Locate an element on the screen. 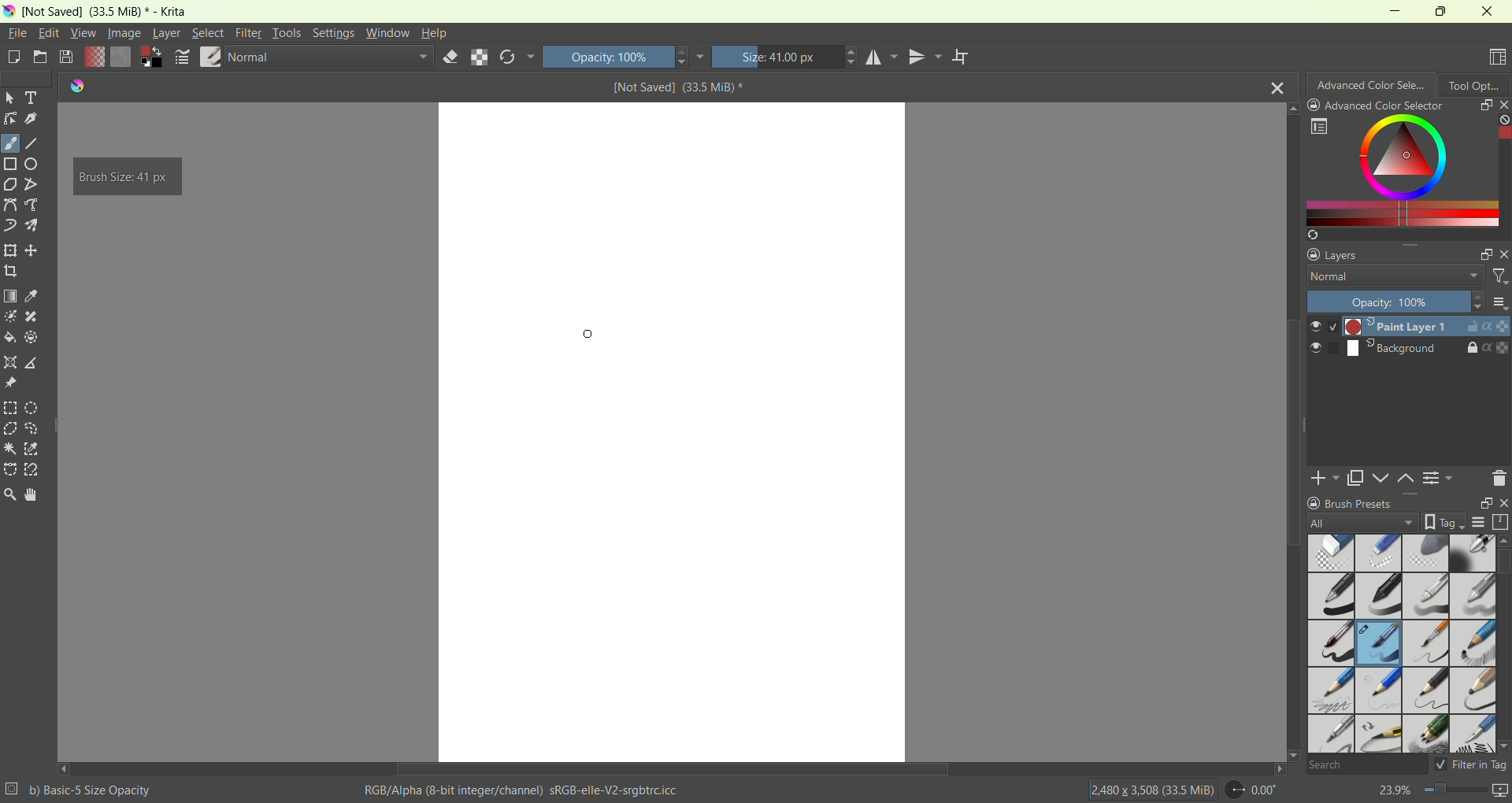 Image resolution: width=1512 pixels, height=803 pixels. close docker is located at coordinates (1503, 104).